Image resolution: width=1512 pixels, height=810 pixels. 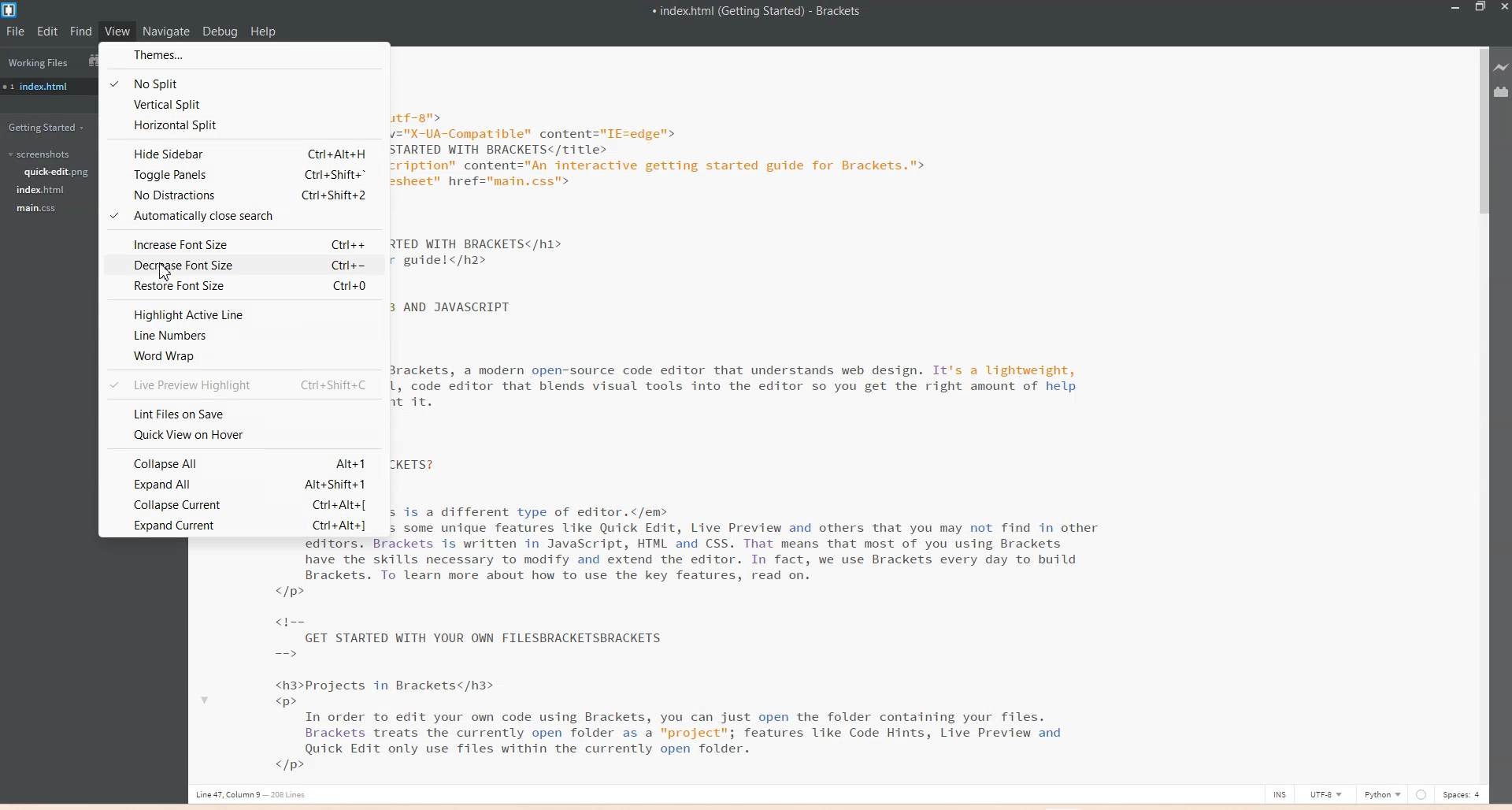 I want to click on Navigate, so click(x=167, y=32).